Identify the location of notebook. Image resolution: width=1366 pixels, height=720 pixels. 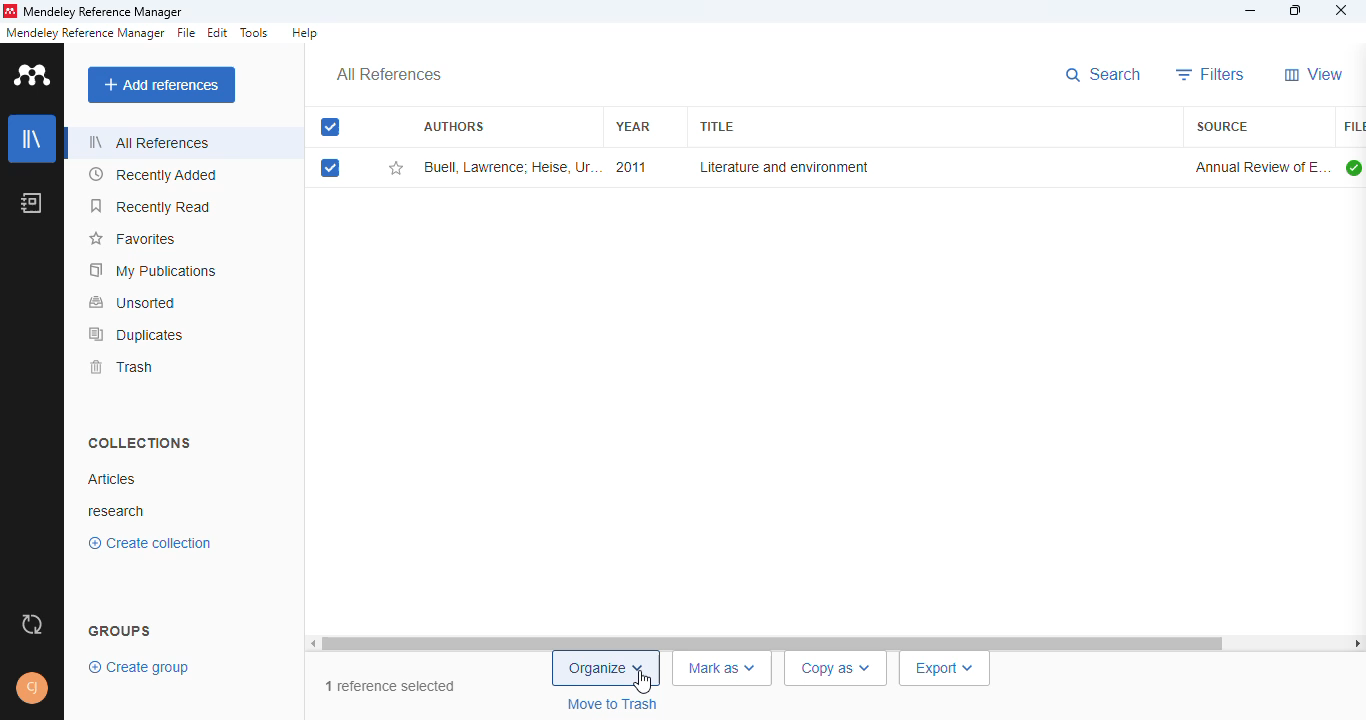
(31, 203).